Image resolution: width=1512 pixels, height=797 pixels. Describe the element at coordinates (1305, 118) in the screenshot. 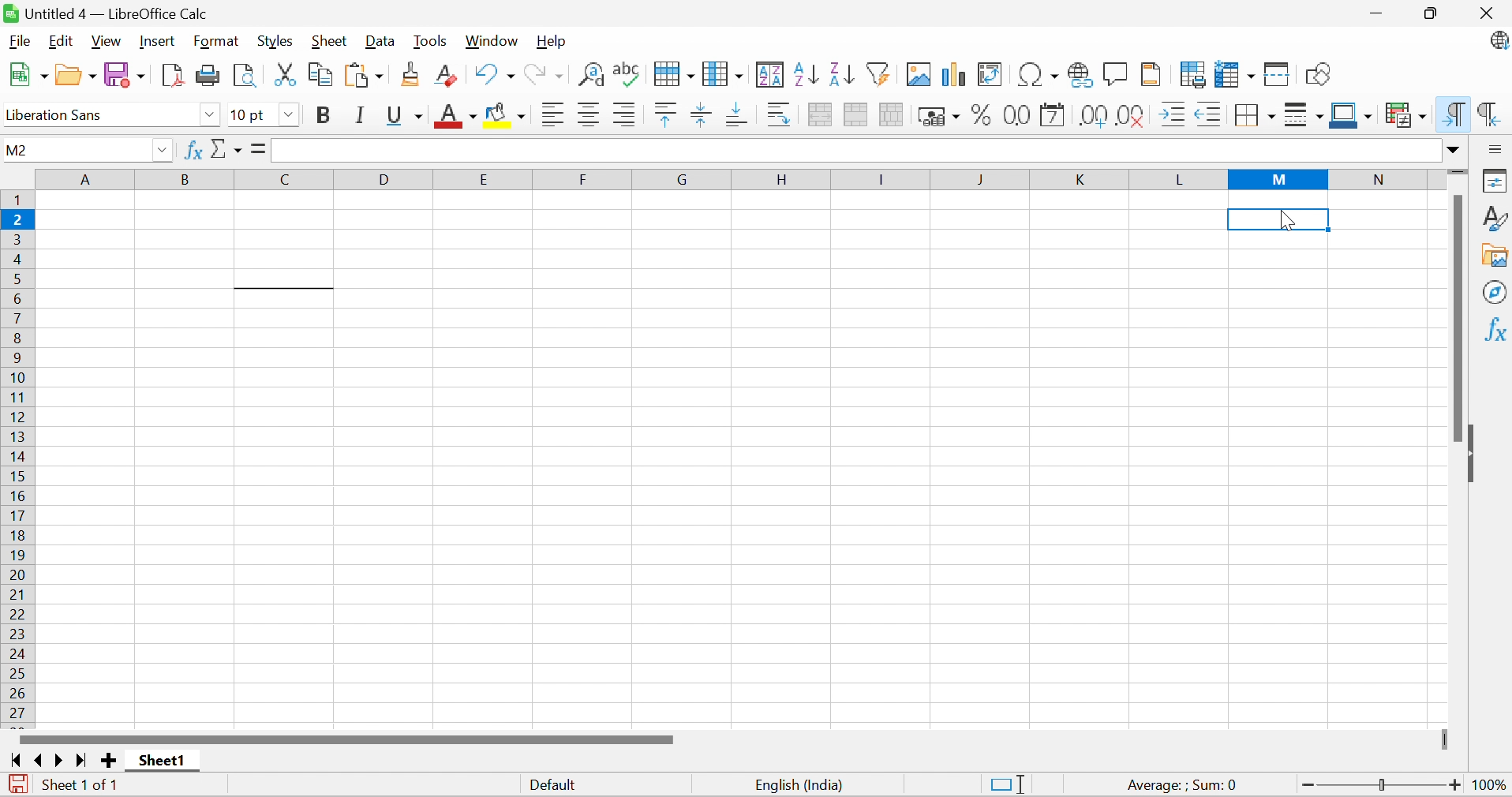

I see `Border style` at that location.